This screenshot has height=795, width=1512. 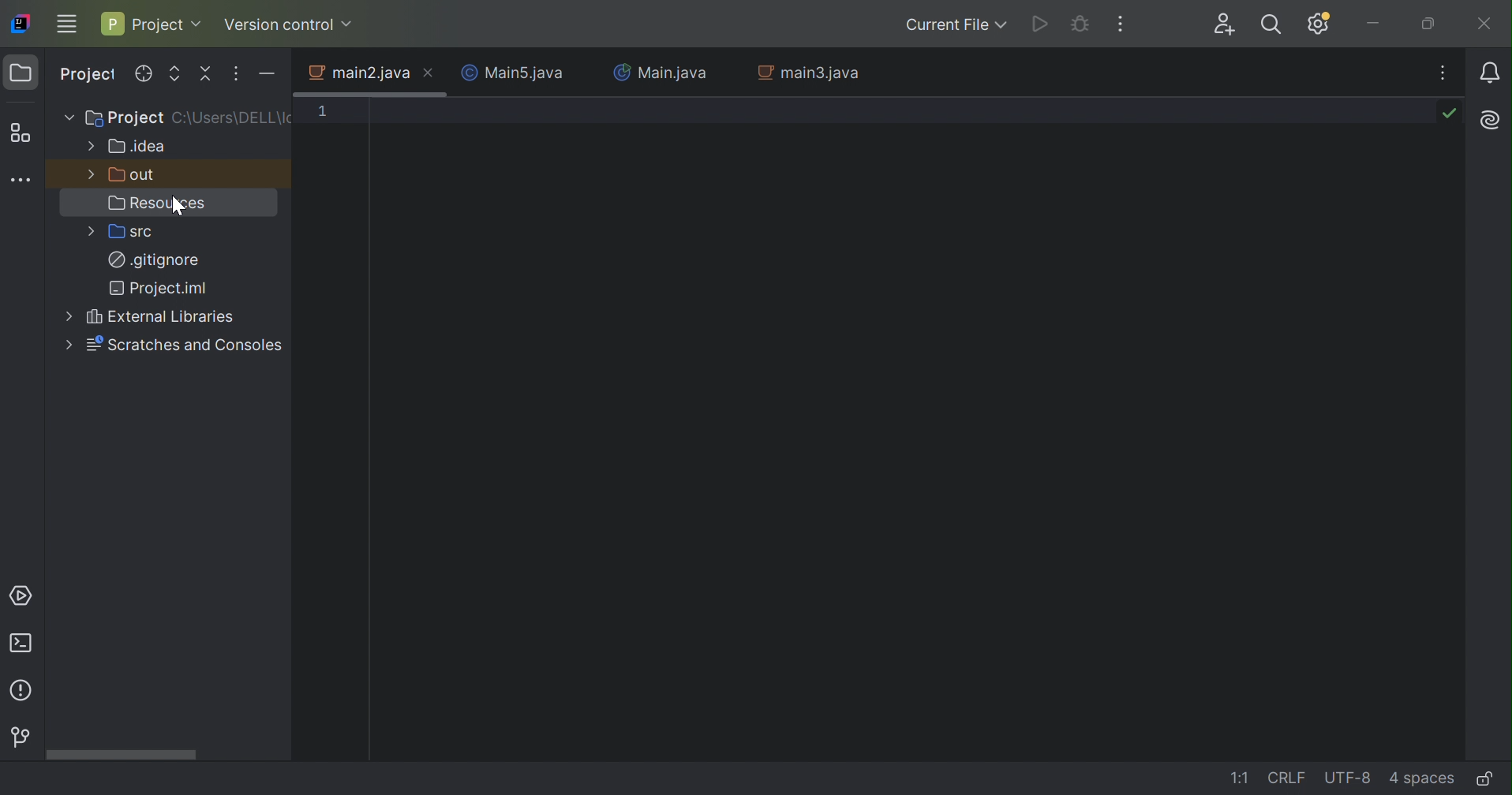 What do you see at coordinates (1120, 24) in the screenshot?
I see `More actions` at bounding box center [1120, 24].